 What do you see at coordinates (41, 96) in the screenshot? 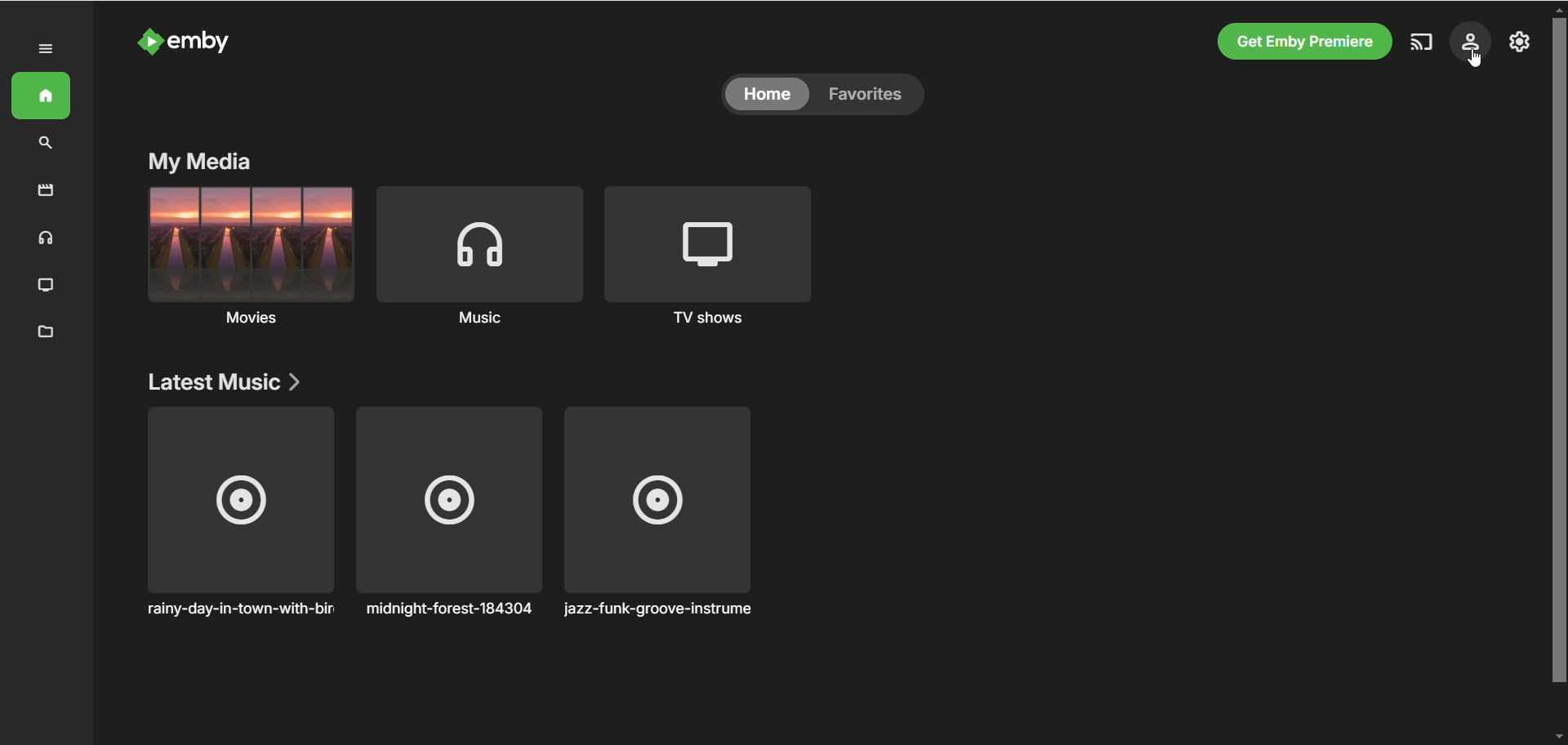
I see `home` at bounding box center [41, 96].